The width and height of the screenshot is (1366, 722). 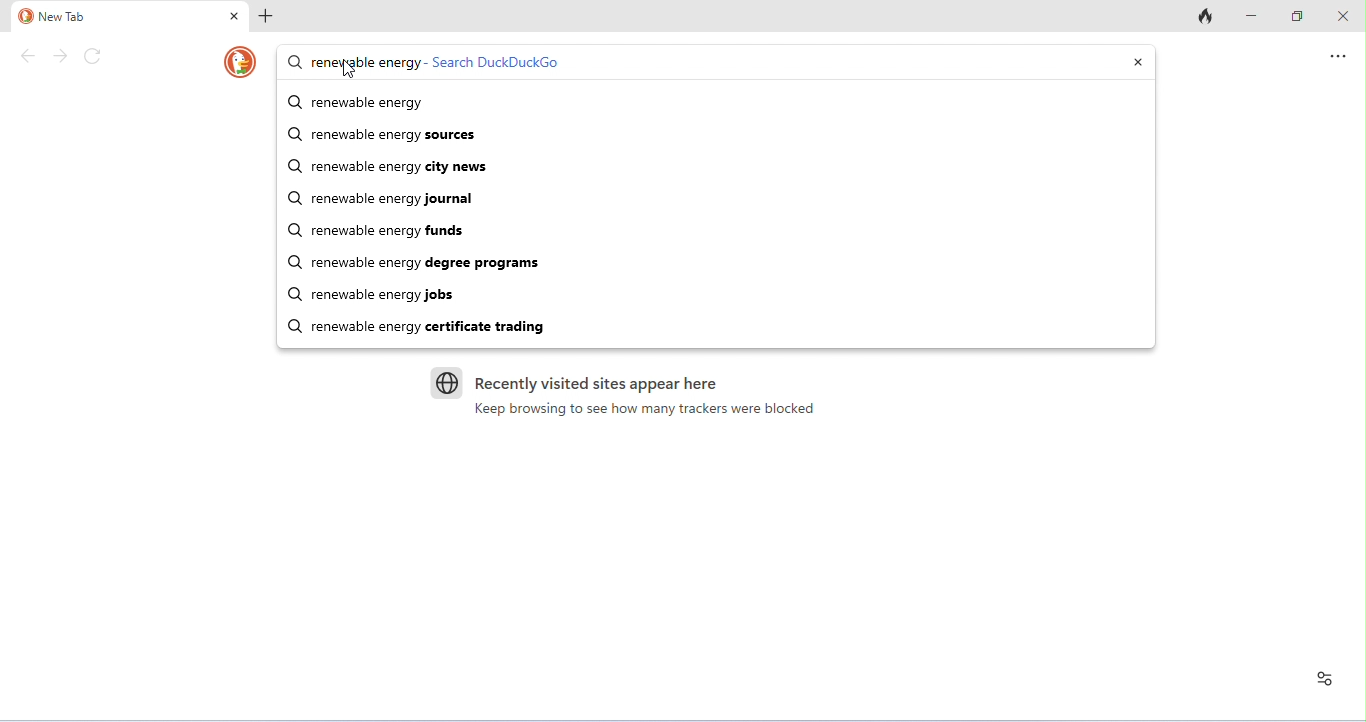 What do you see at coordinates (294, 132) in the screenshot?
I see `search icon` at bounding box center [294, 132].